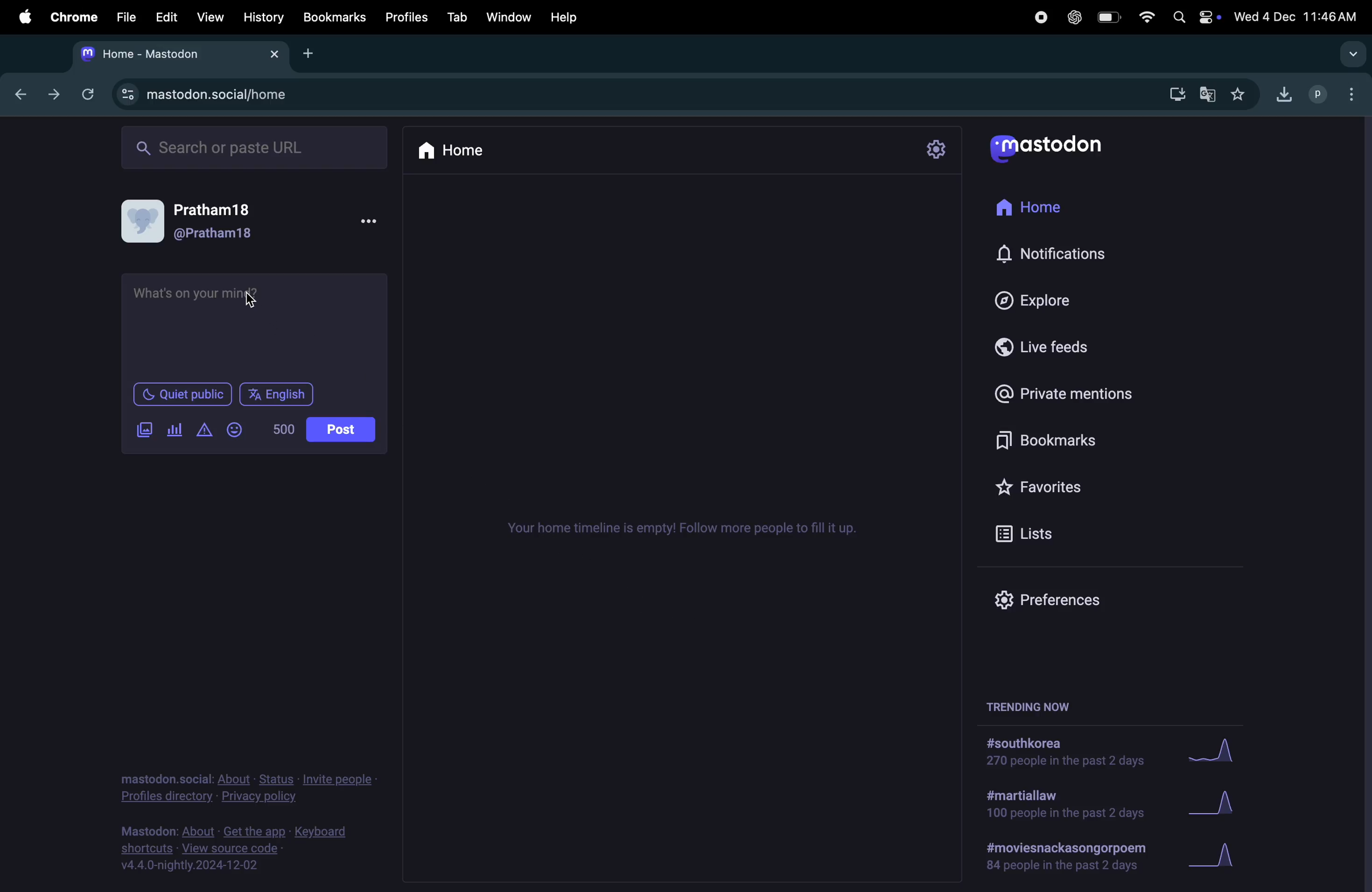 The height and width of the screenshot is (892, 1372). Describe the element at coordinates (1064, 860) in the screenshot. I see `# movies and poem` at that location.